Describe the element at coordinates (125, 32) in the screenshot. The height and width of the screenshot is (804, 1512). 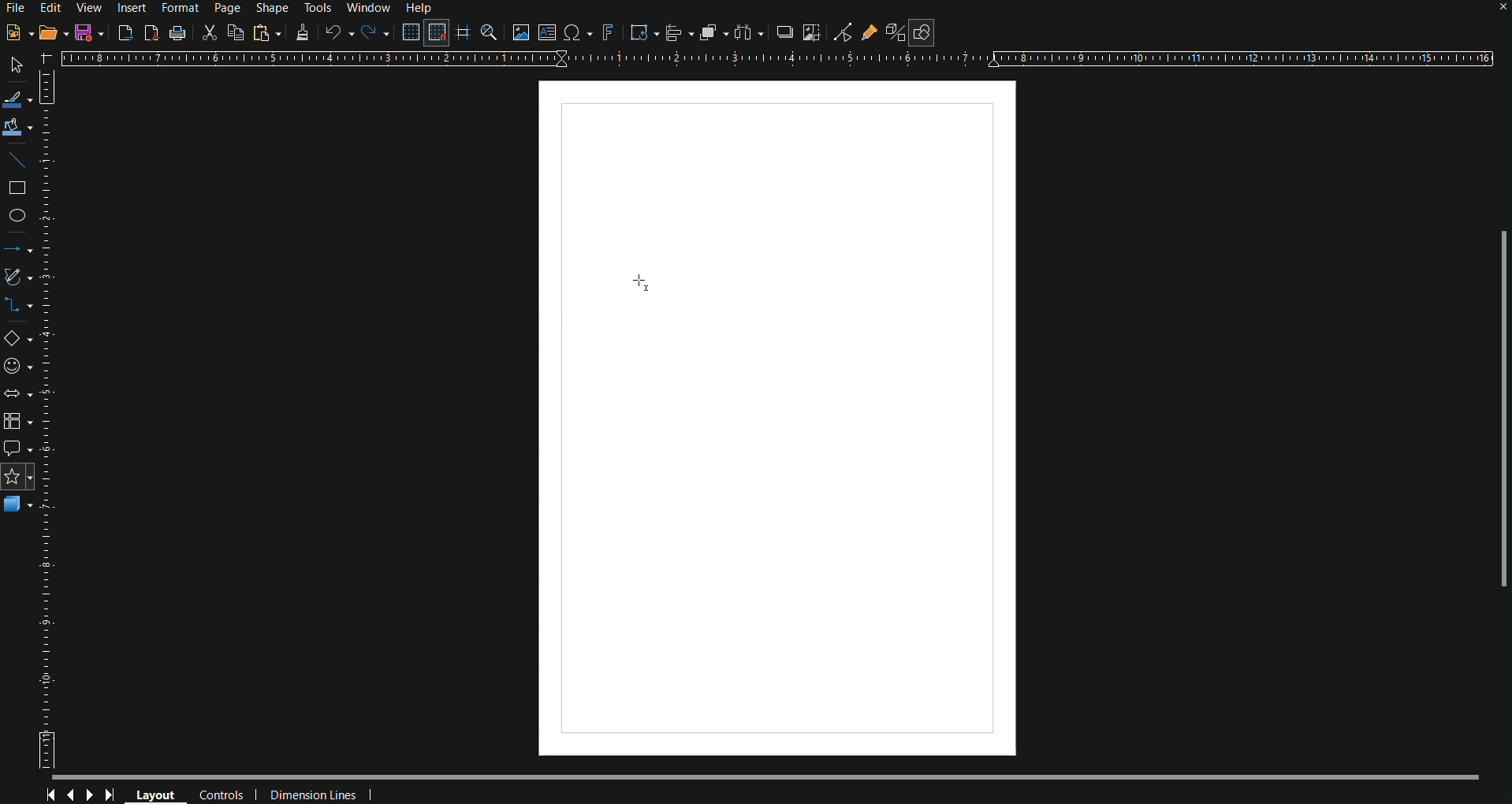
I see `Export` at that location.